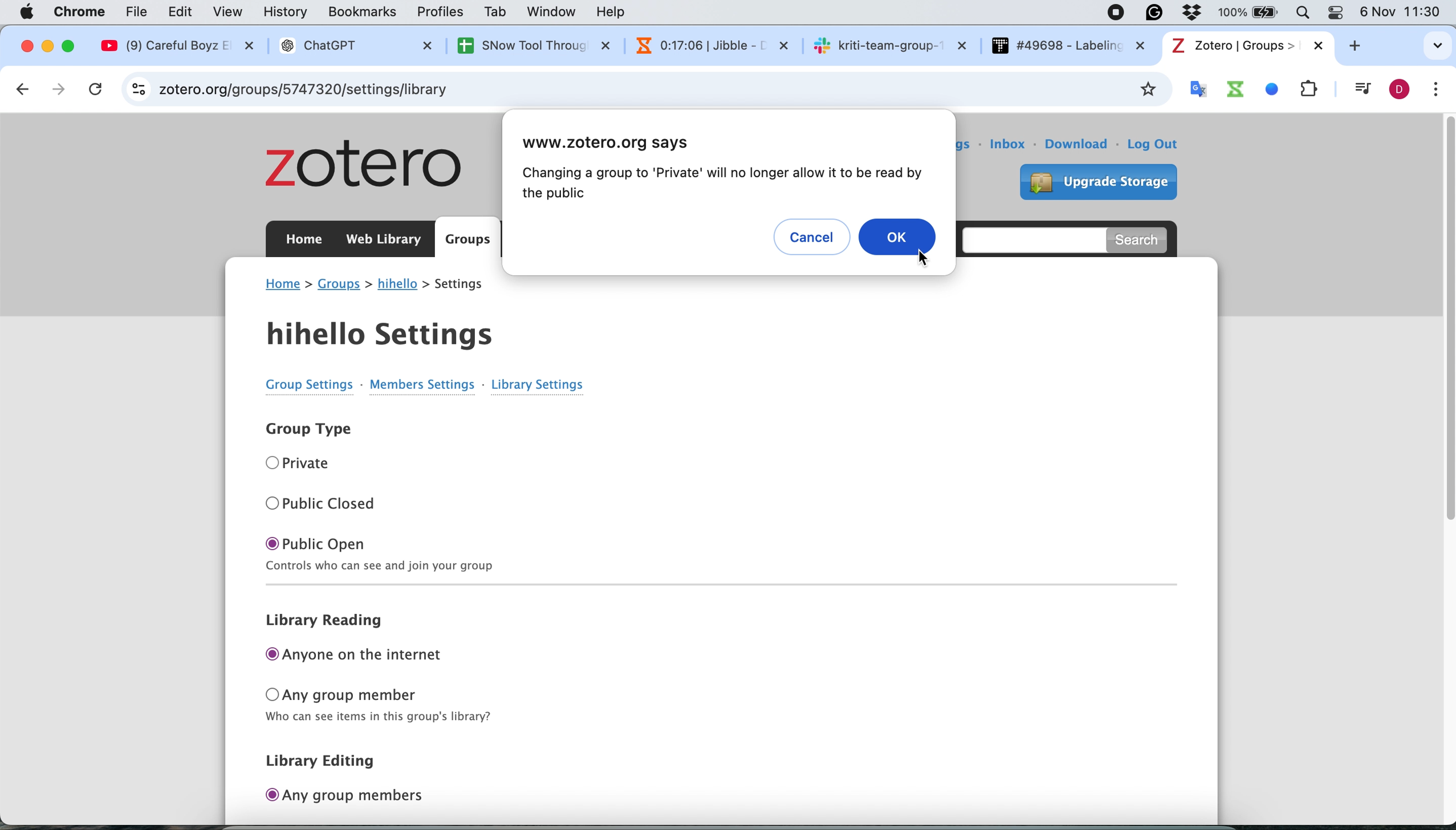  I want to click on view, so click(230, 11).